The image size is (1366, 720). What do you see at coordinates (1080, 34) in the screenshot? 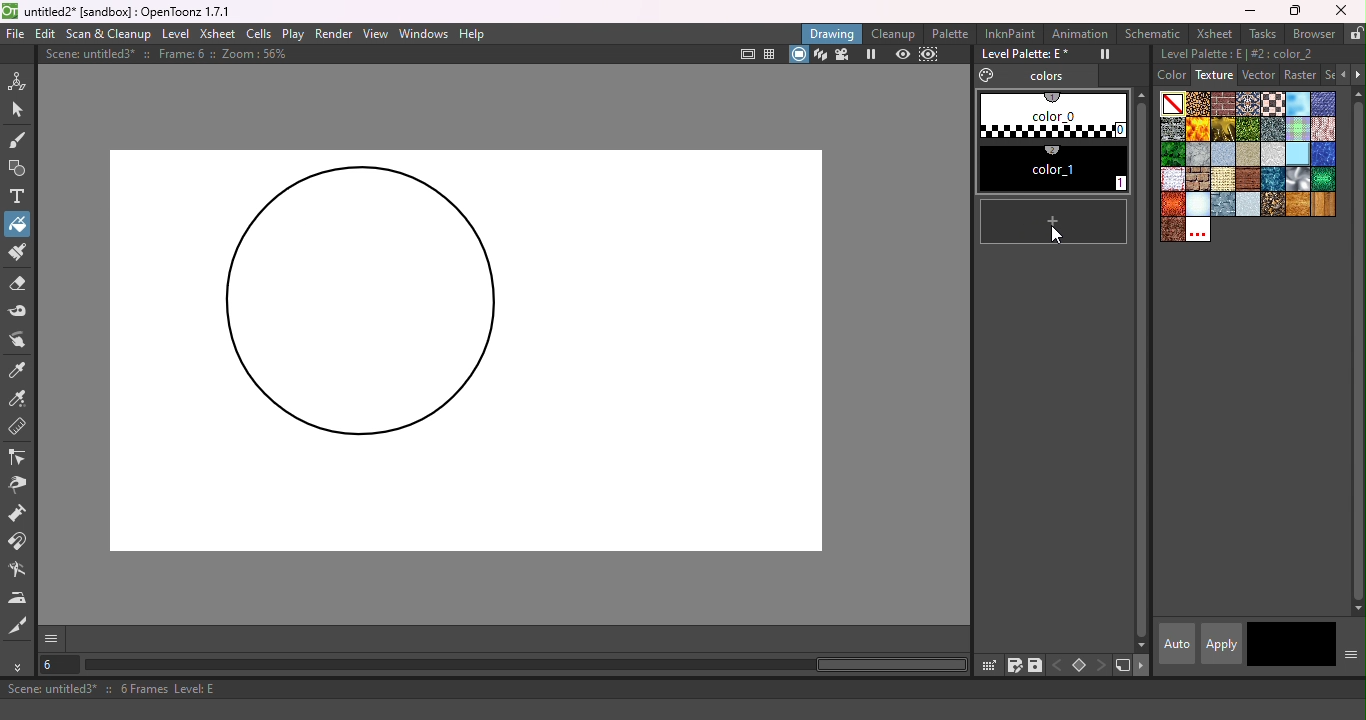
I see `Animation` at bounding box center [1080, 34].